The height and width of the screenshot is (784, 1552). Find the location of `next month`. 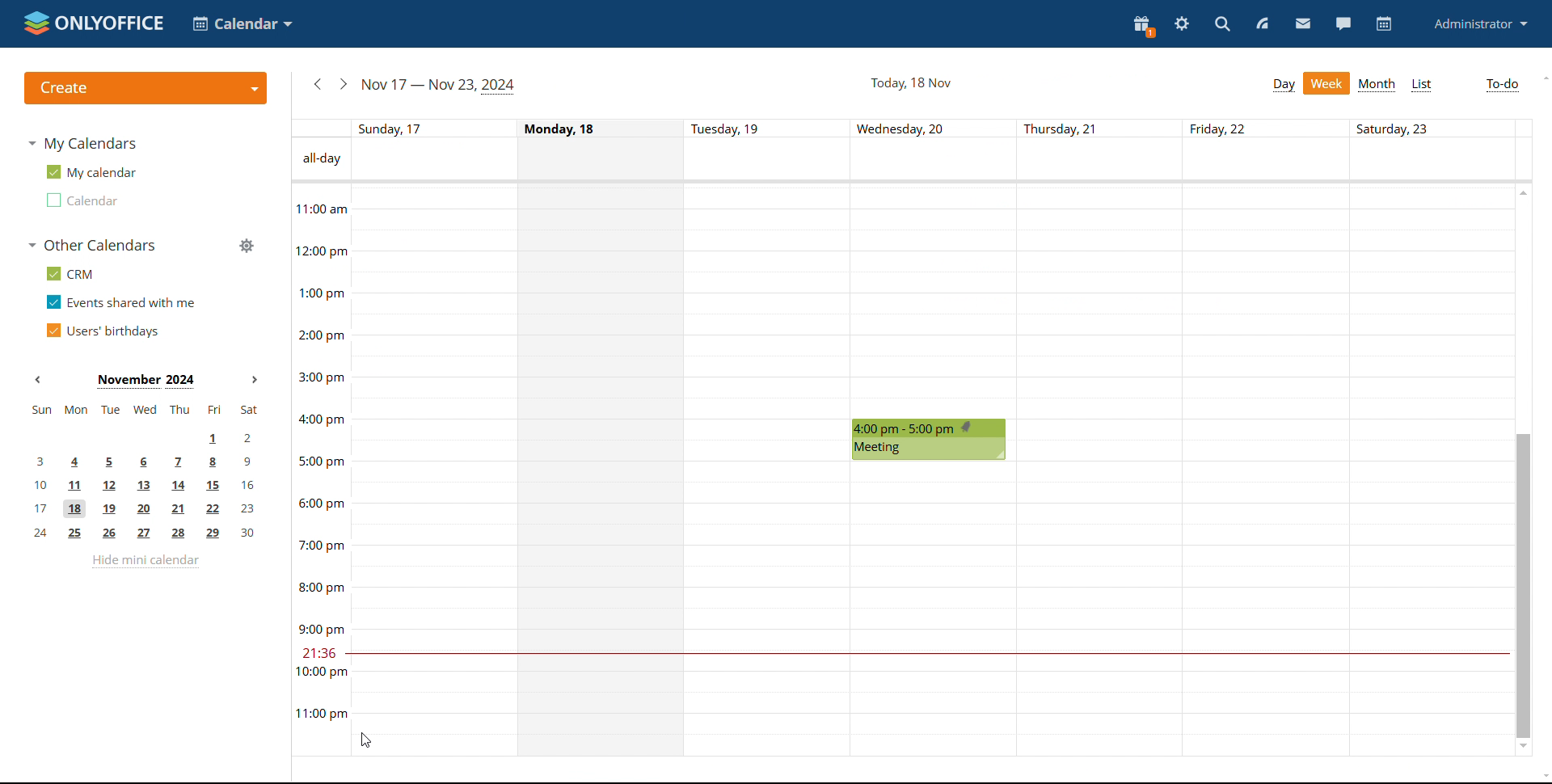

next month is located at coordinates (257, 381).